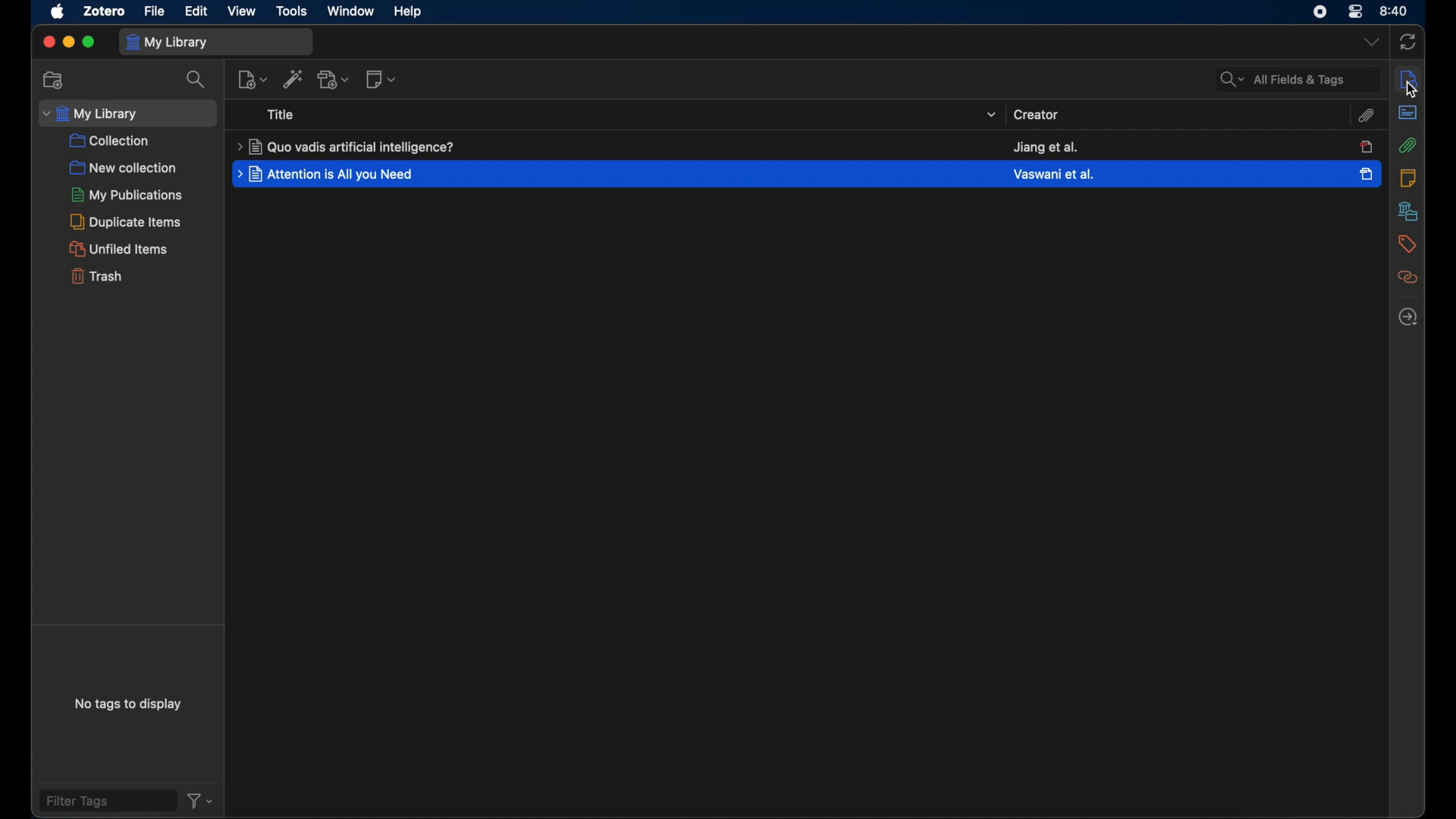  What do you see at coordinates (1410, 41) in the screenshot?
I see `sync` at bounding box center [1410, 41].